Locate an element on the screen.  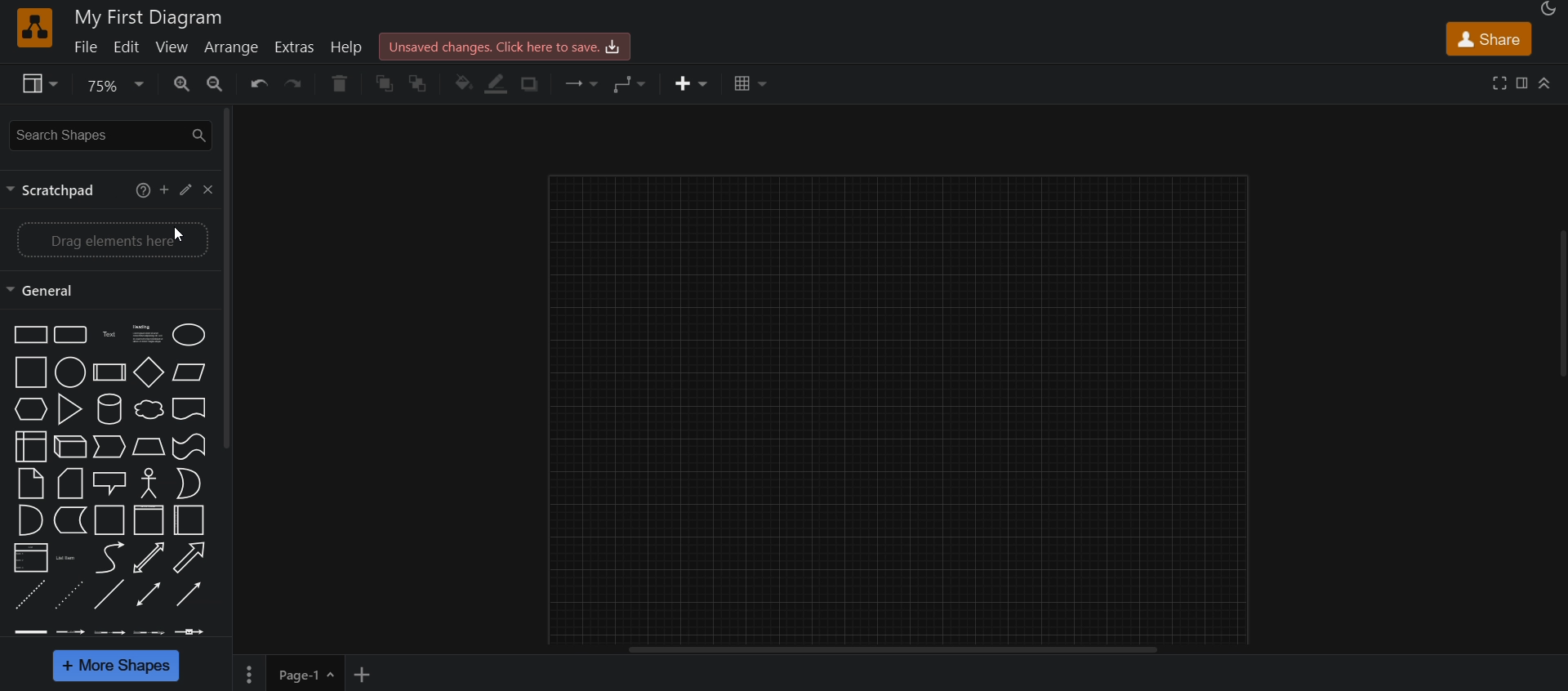
appearance is located at coordinates (1551, 11).